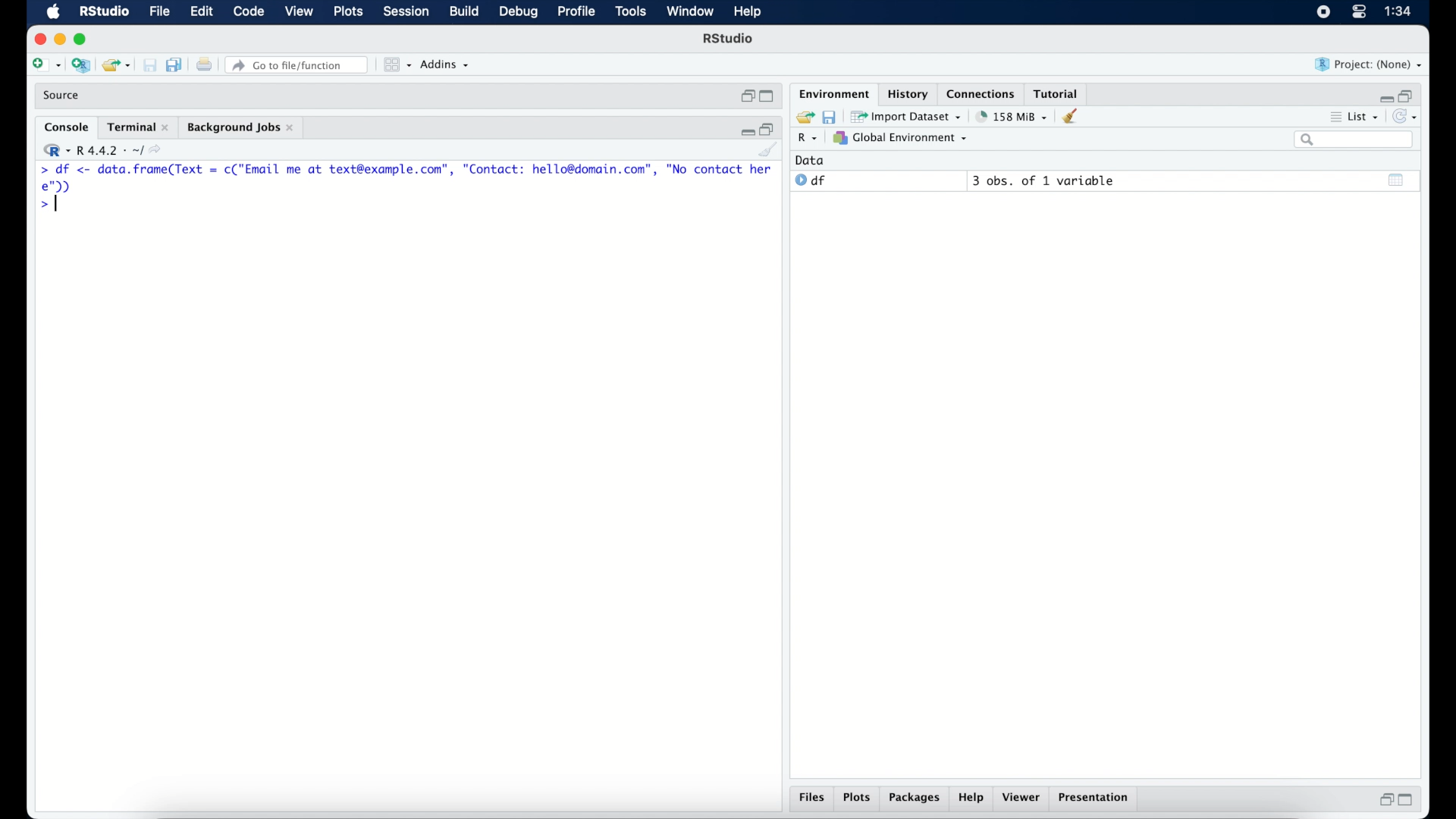 Image resolution: width=1456 pixels, height=819 pixels. What do you see at coordinates (64, 126) in the screenshot?
I see `console` at bounding box center [64, 126].